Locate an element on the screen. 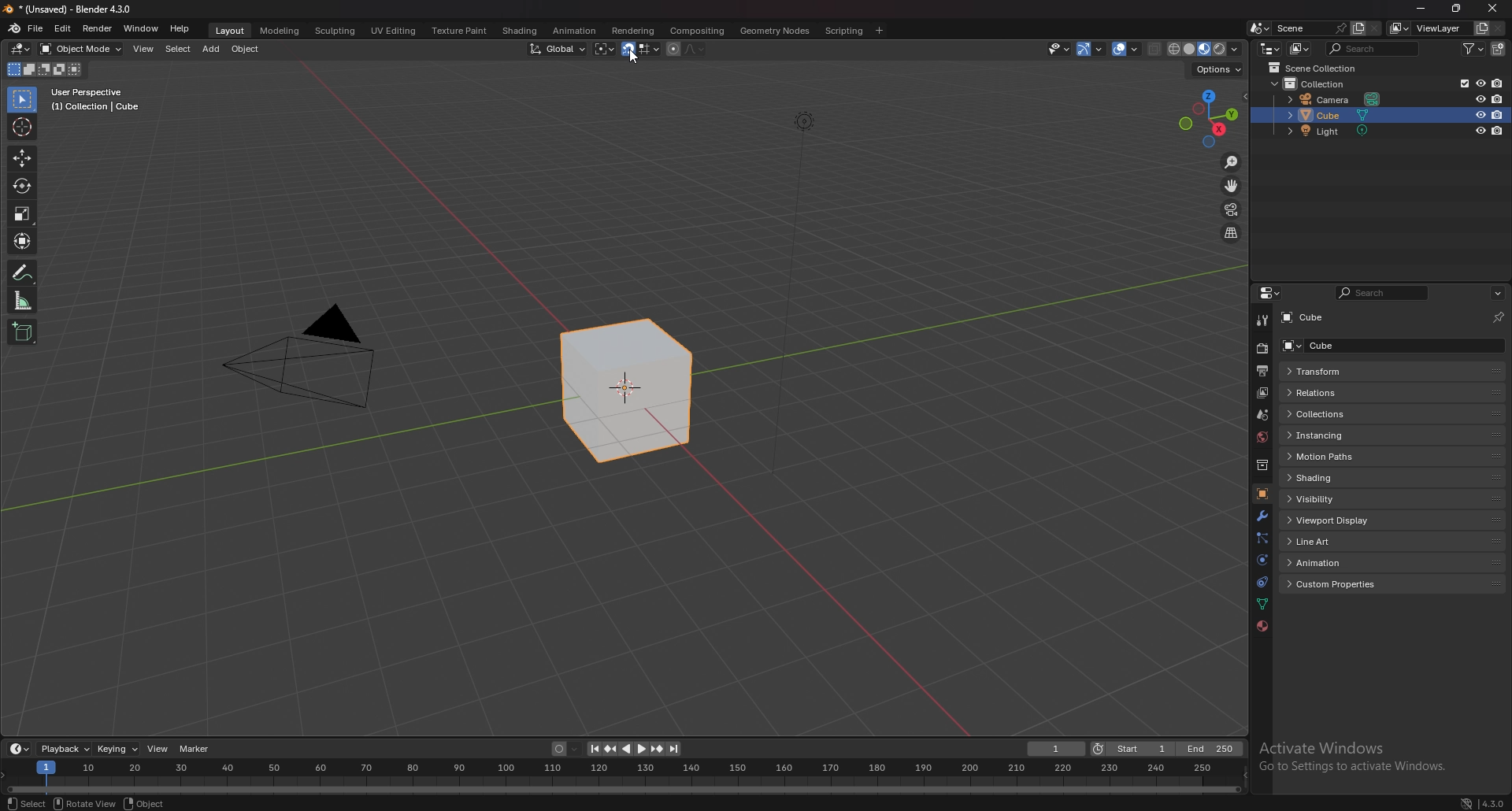 This screenshot has width=1512, height=811. file is located at coordinates (36, 28).